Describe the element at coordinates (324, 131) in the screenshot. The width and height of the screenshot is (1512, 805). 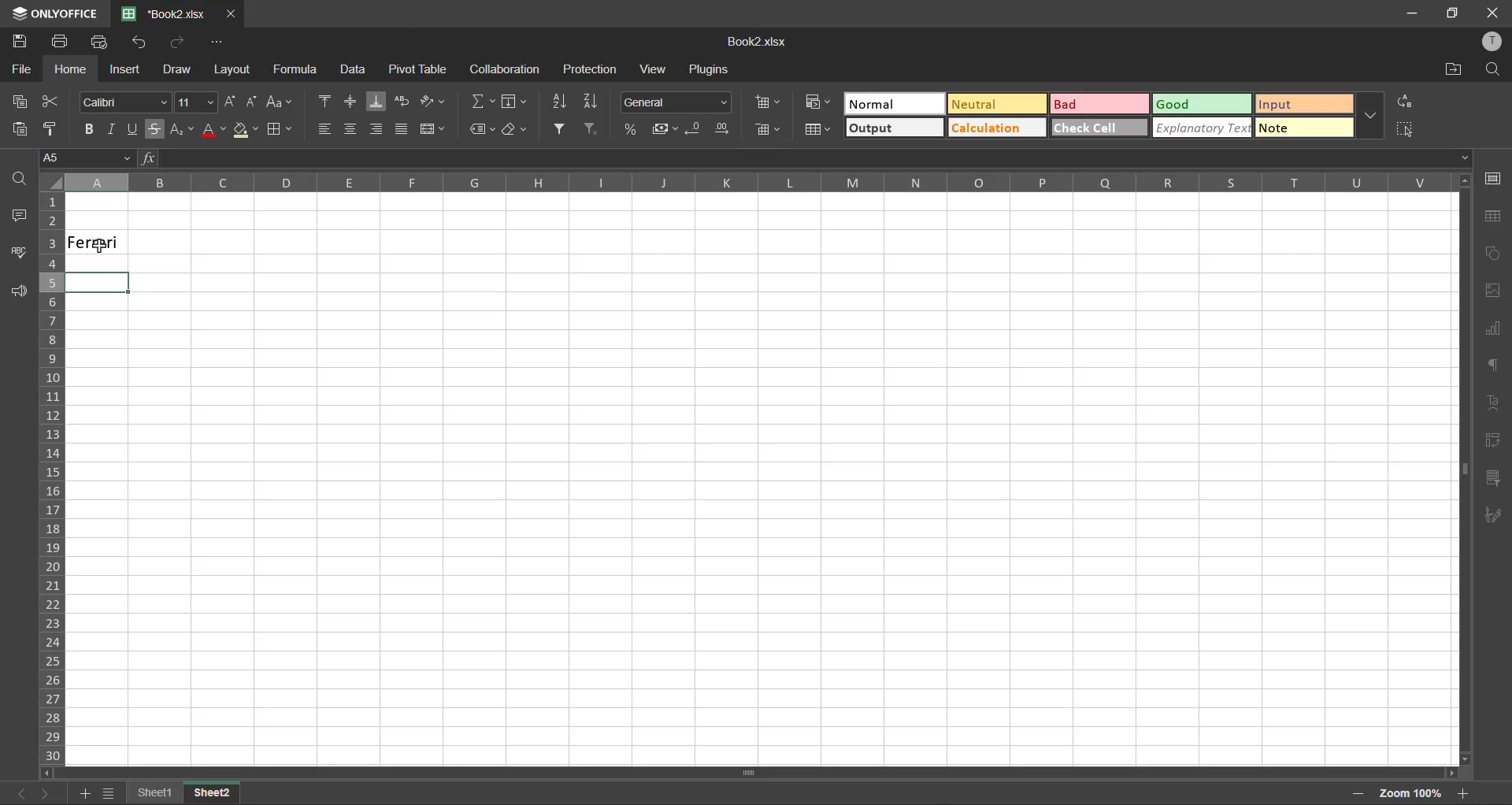
I see `align left` at that location.